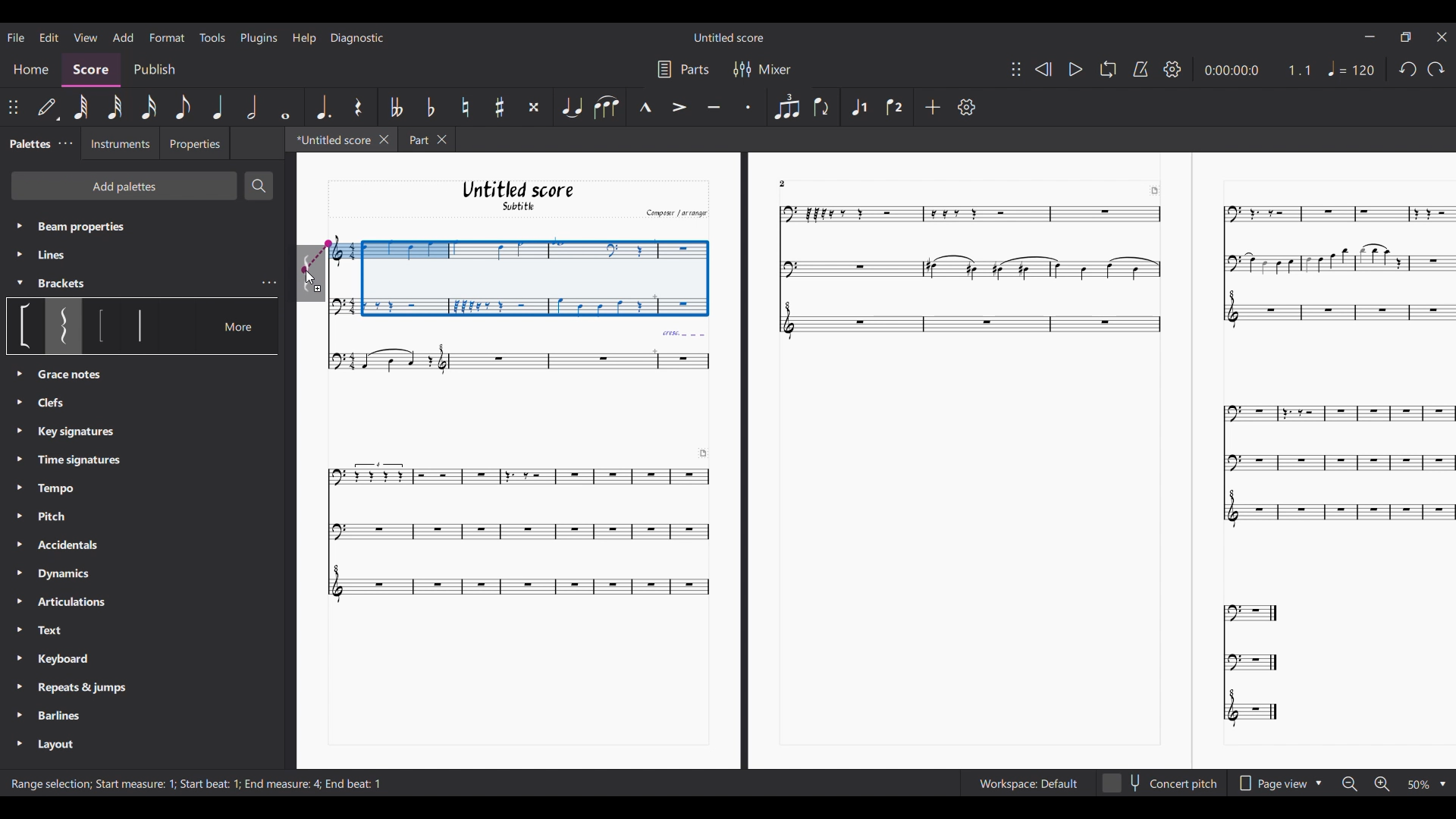  I want to click on , so click(1250, 661).